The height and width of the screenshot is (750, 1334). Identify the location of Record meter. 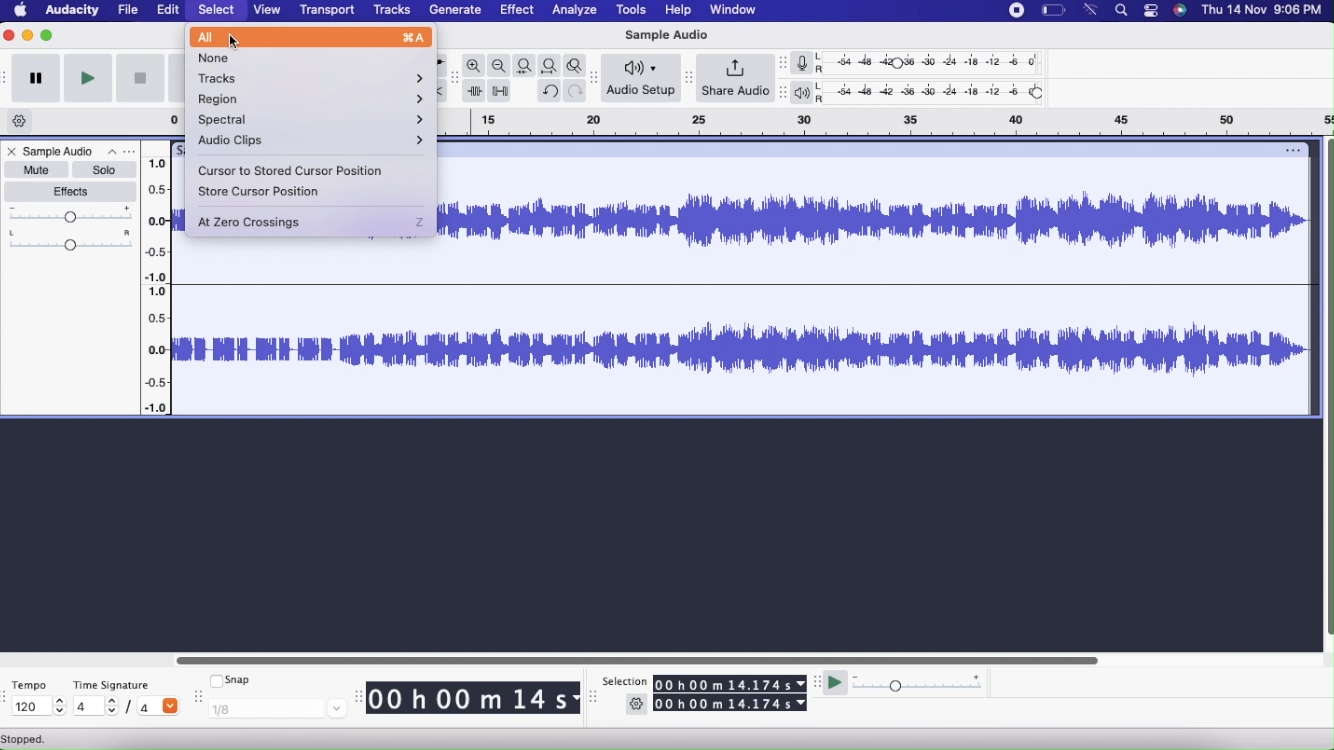
(808, 62).